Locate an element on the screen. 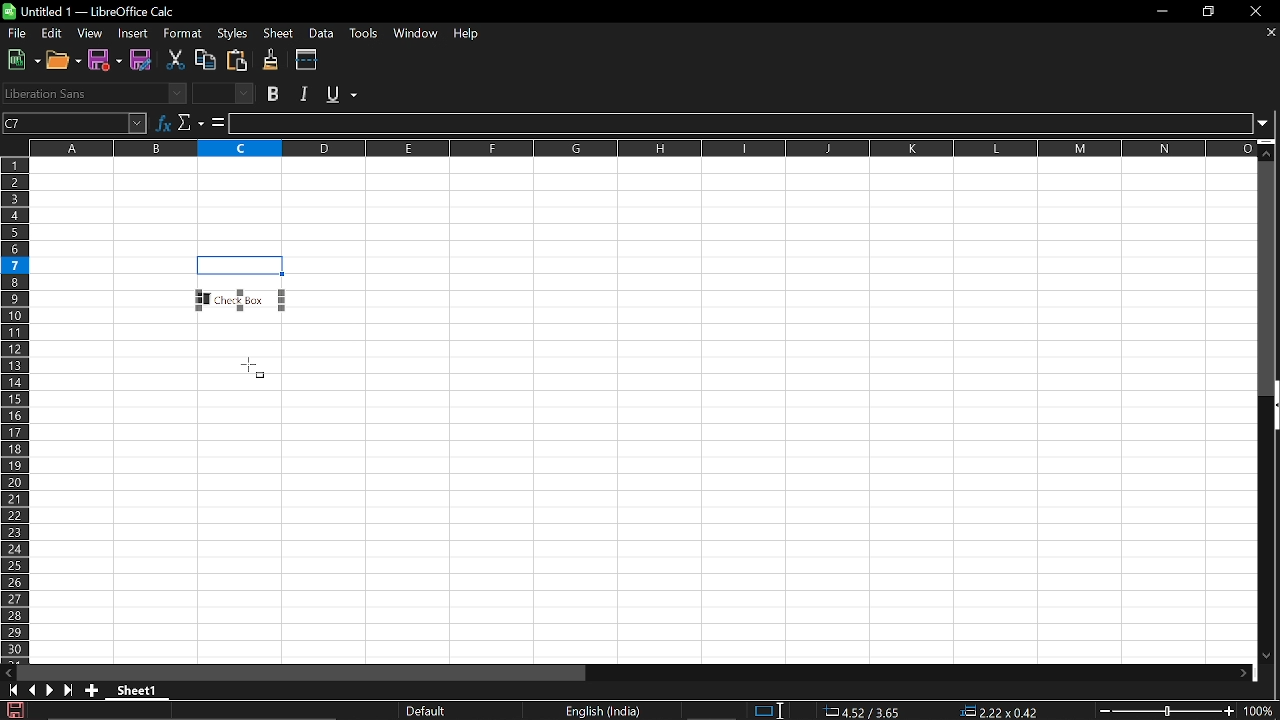  Next sheet is located at coordinates (50, 690).